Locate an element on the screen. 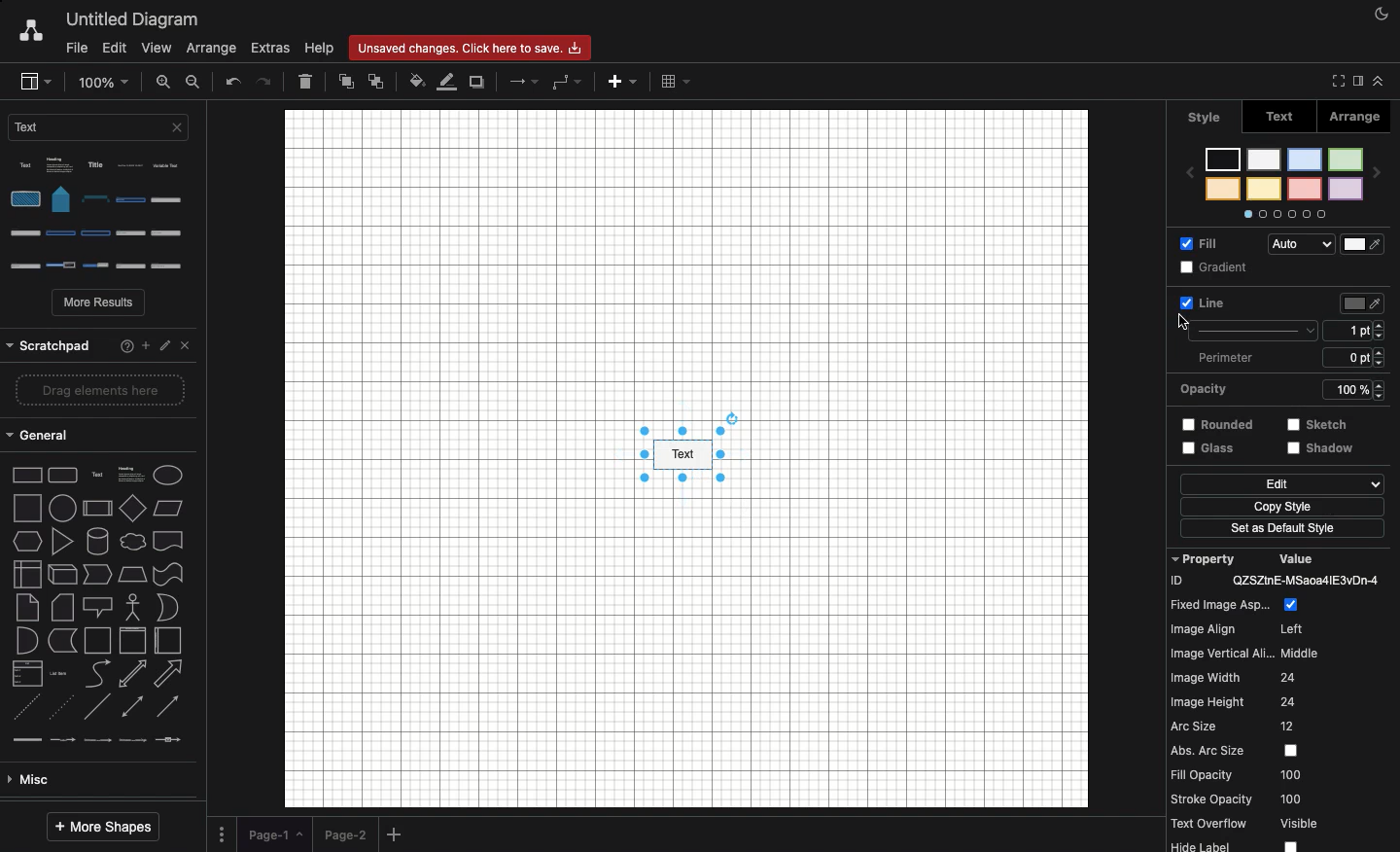 The width and height of the screenshot is (1400, 852). shapes is located at coordinates (104, 470).